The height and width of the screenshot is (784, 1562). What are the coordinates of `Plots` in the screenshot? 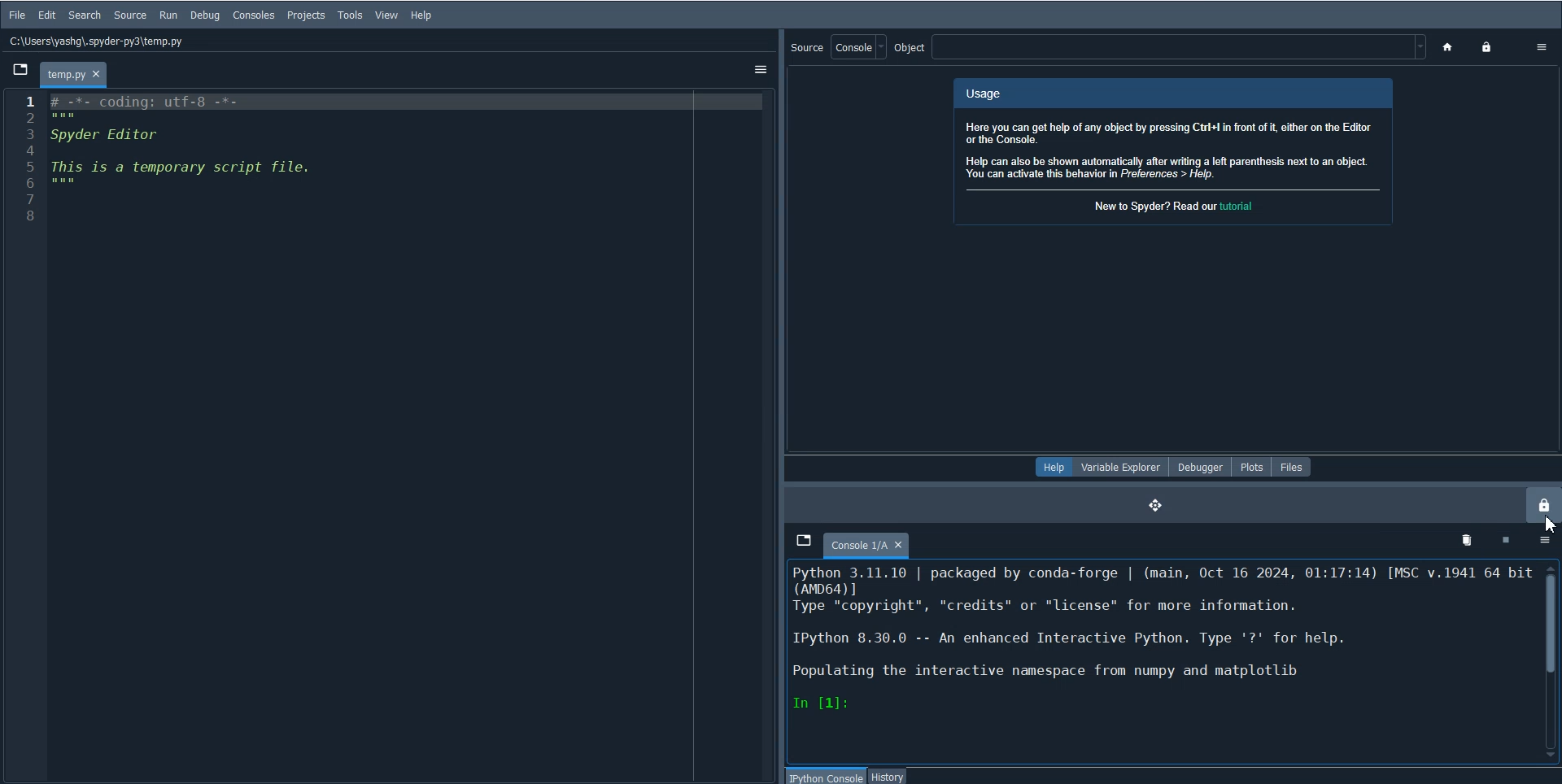 It's located at (1250, 466).